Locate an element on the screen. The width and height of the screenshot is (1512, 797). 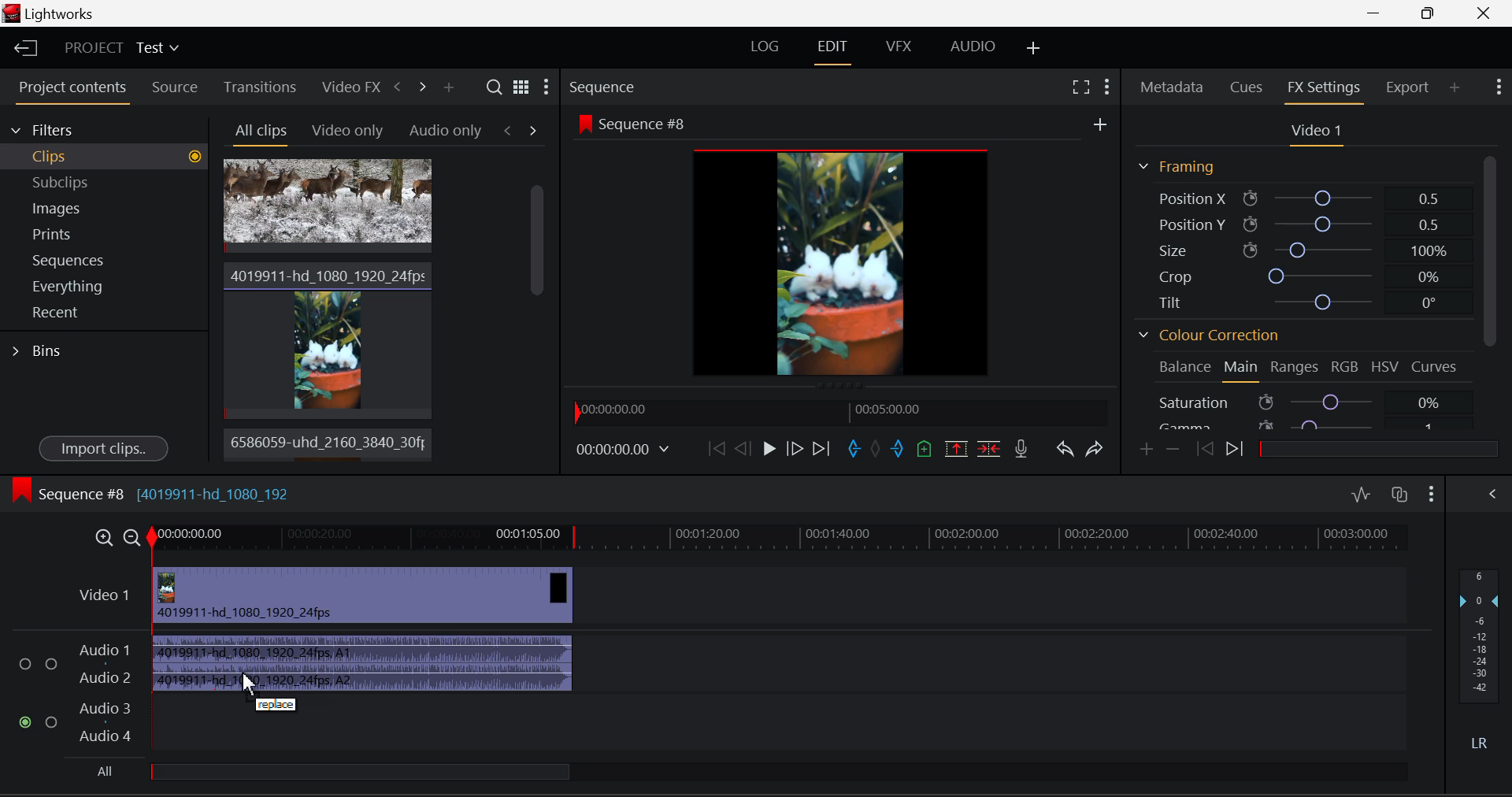
Saturation is located at coordinates (1310, 402).